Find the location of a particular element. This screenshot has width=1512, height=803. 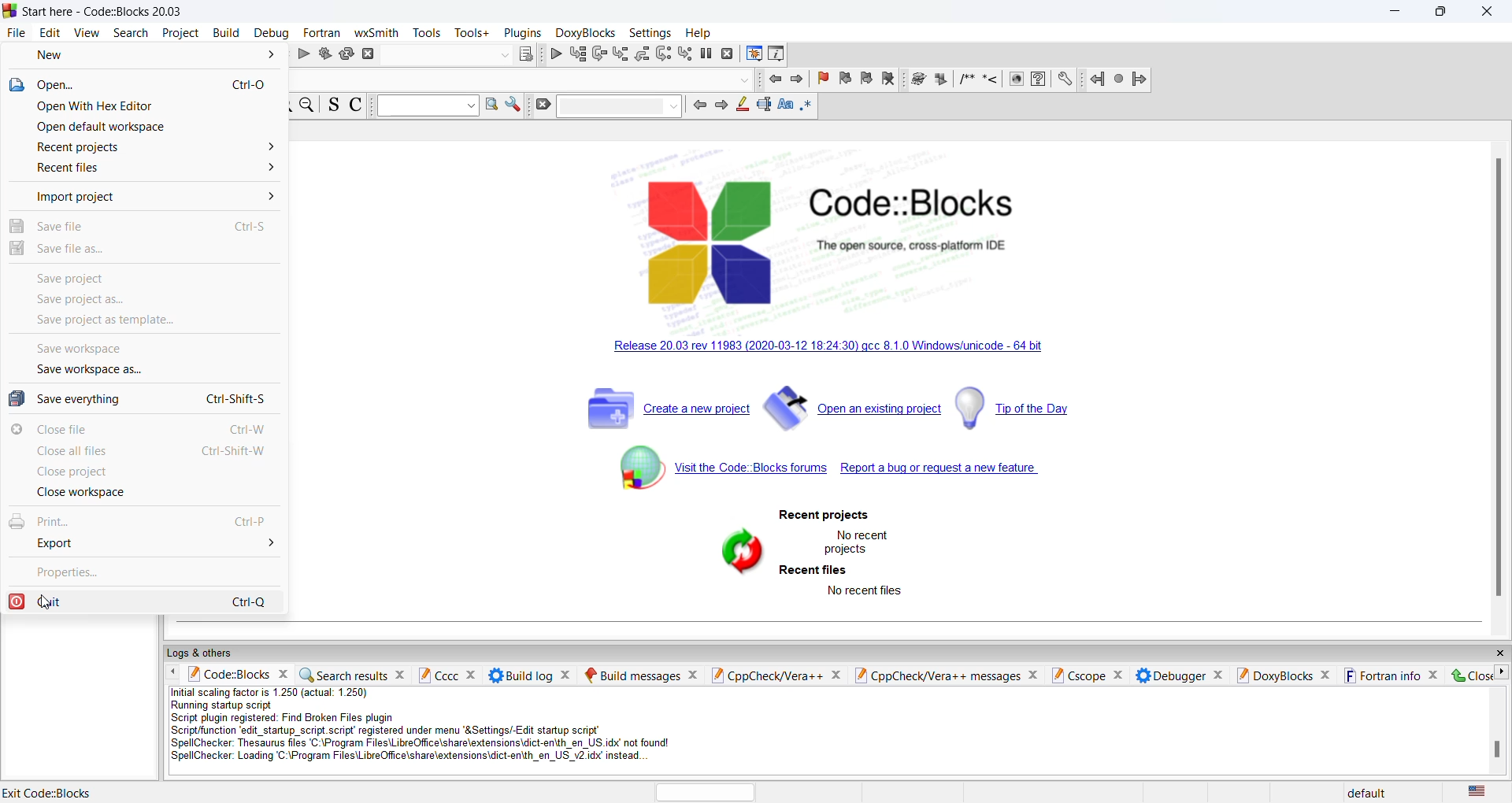

target dialog is located at coordinates (525, 52).